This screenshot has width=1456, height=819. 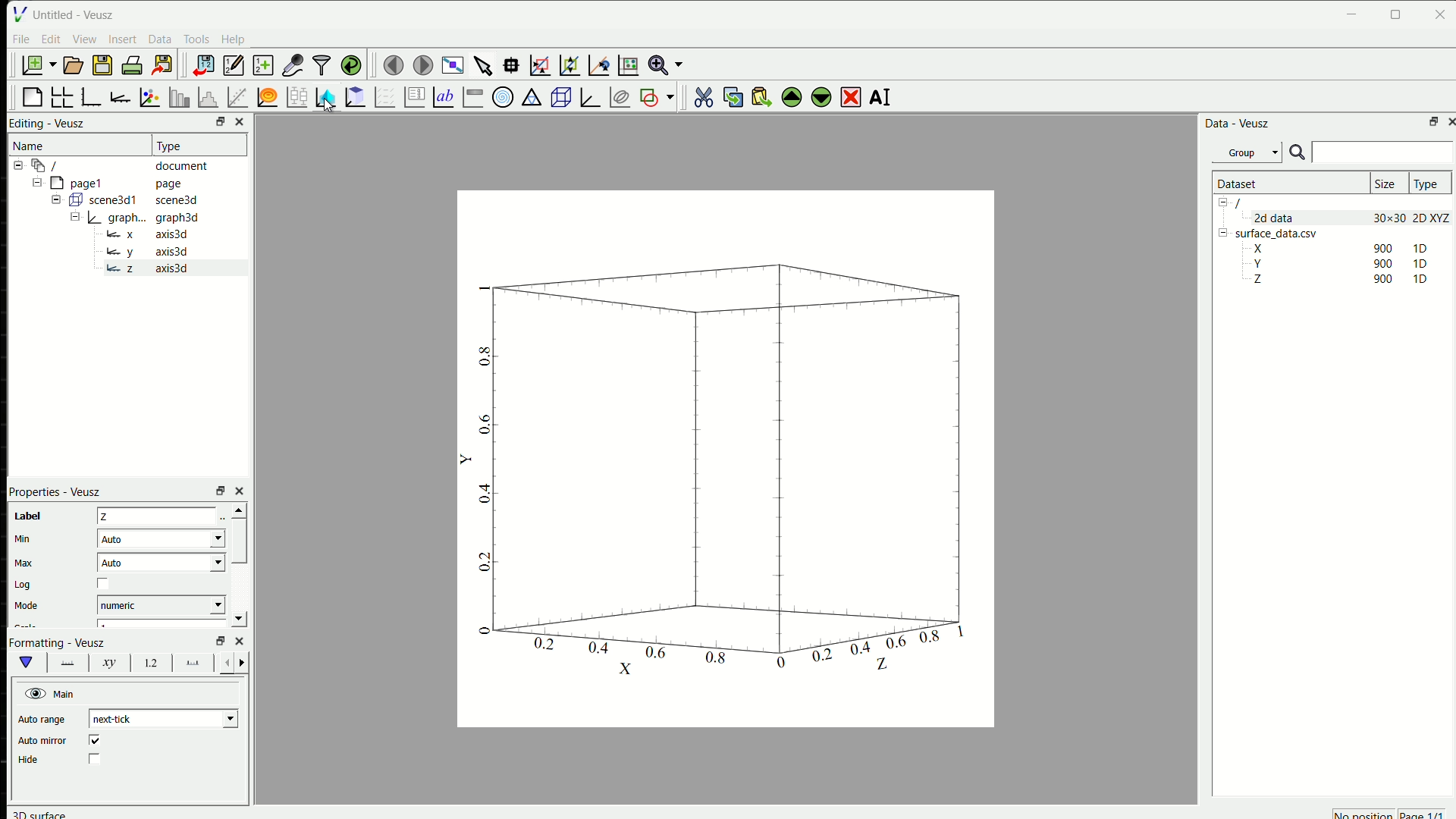 I want to click on scene3d, so click(x=177, y=201).